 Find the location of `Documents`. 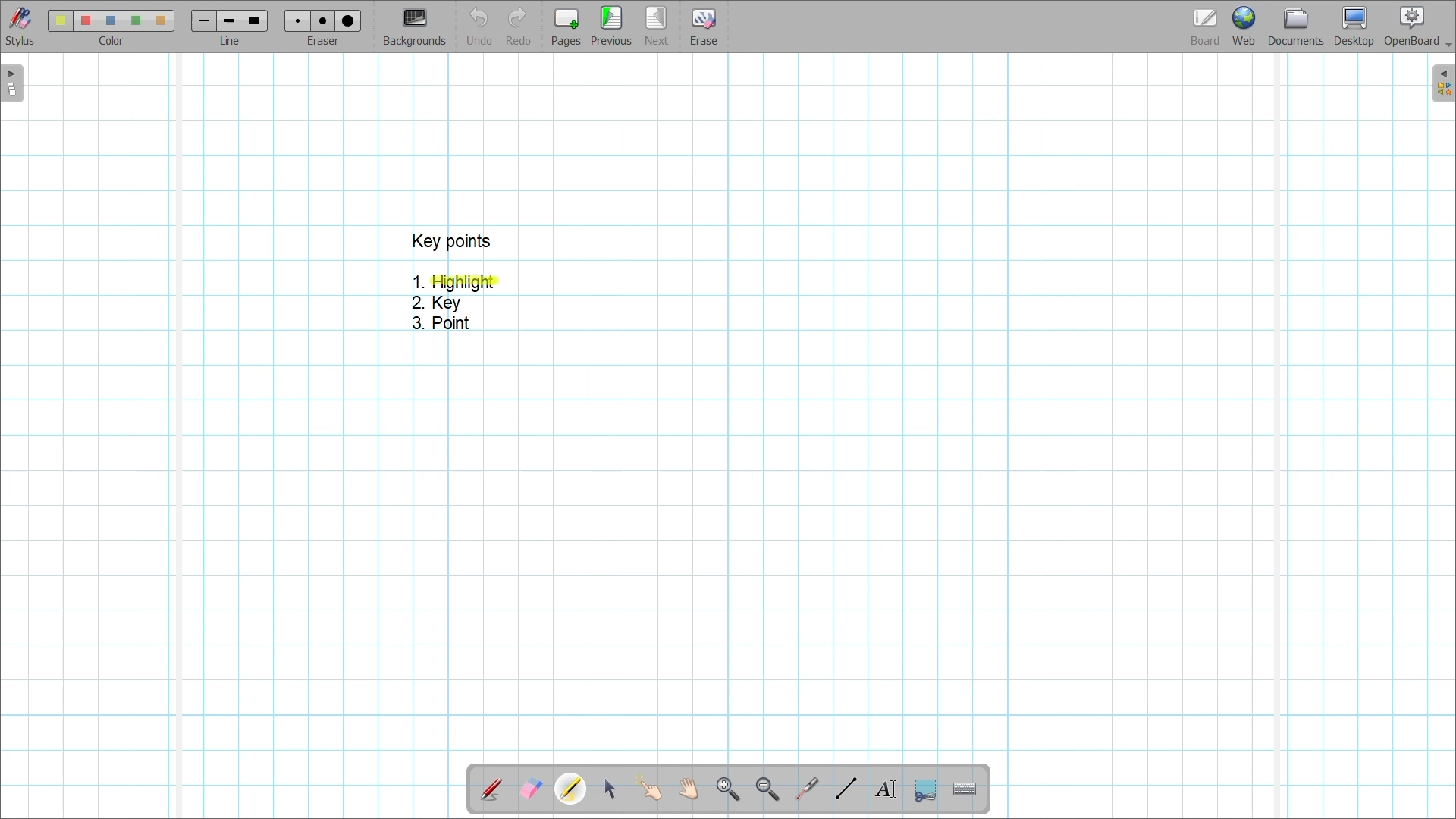

Documents is located at coordinates (1296, 27).